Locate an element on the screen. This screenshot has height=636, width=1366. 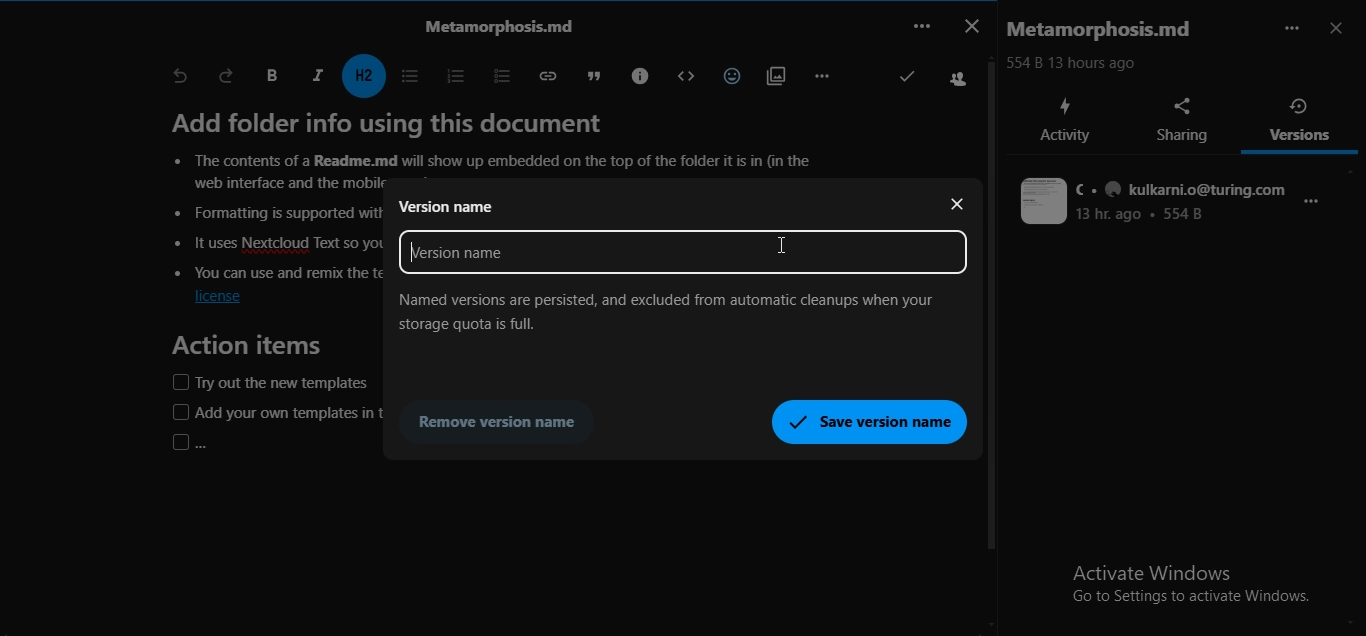
to do list is located at coordinates (494, 74).